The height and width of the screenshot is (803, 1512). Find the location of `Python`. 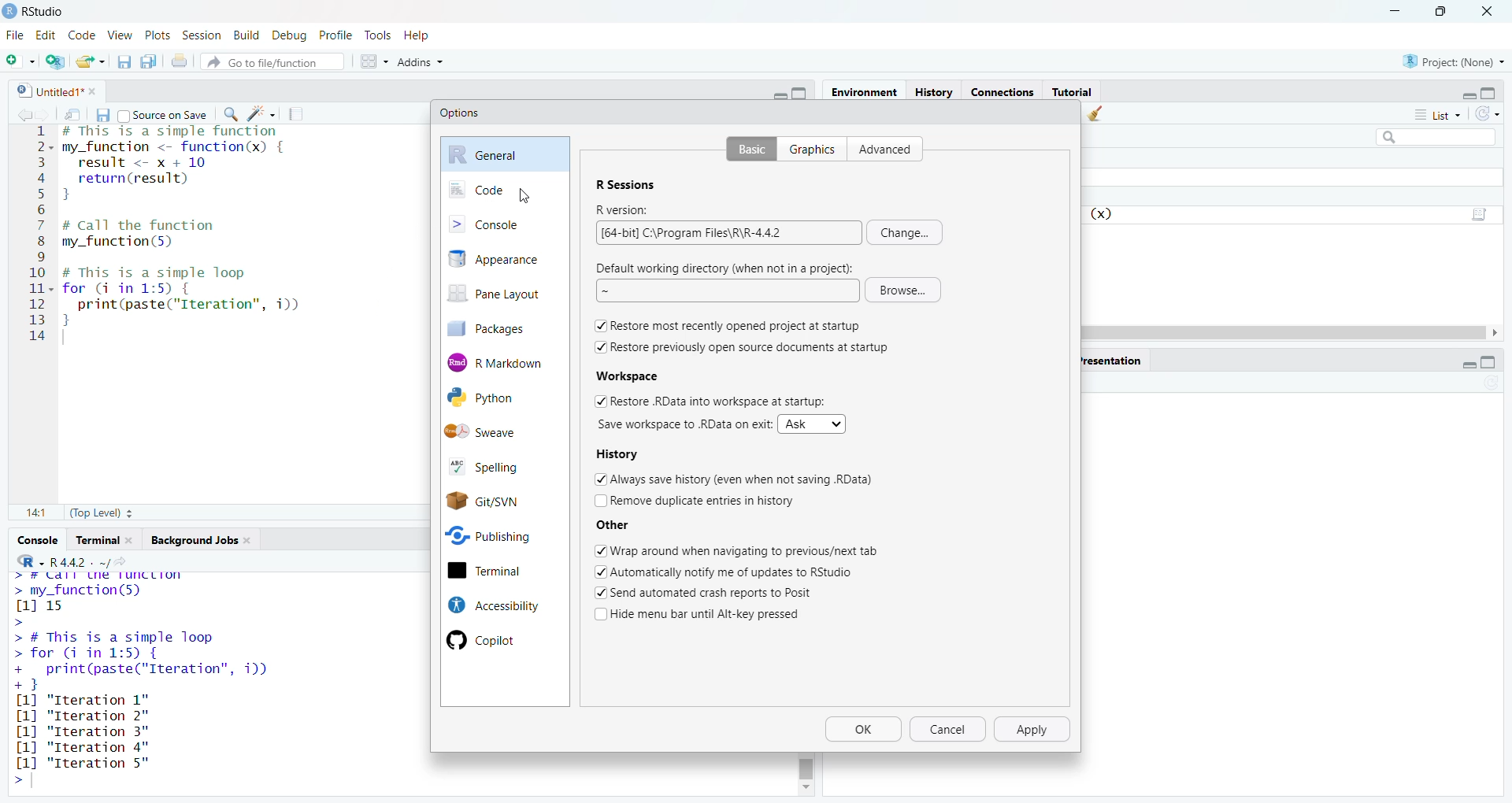

Python is located at coordinates (499, 398).